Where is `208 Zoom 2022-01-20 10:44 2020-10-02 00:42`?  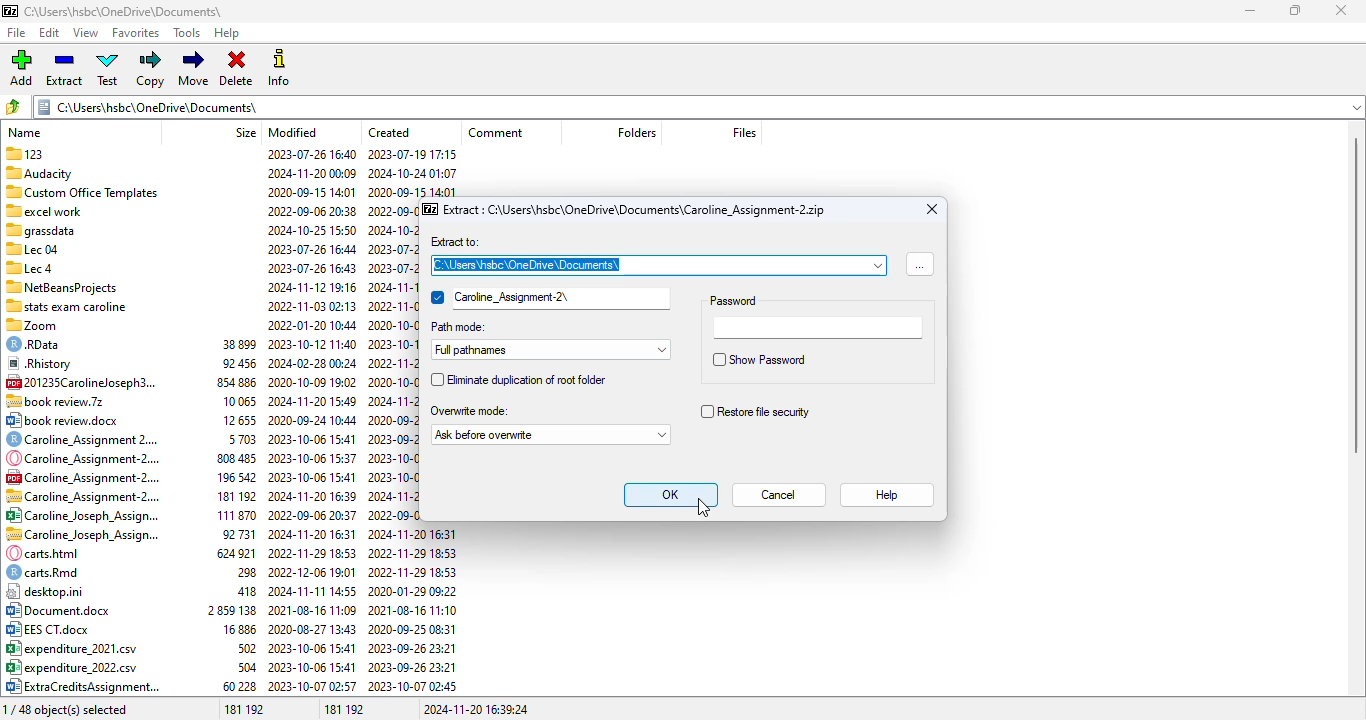 208 Zoom 2022-01-20 10:44 2020-10-02 00:42 is located at coordinates (213, 324).